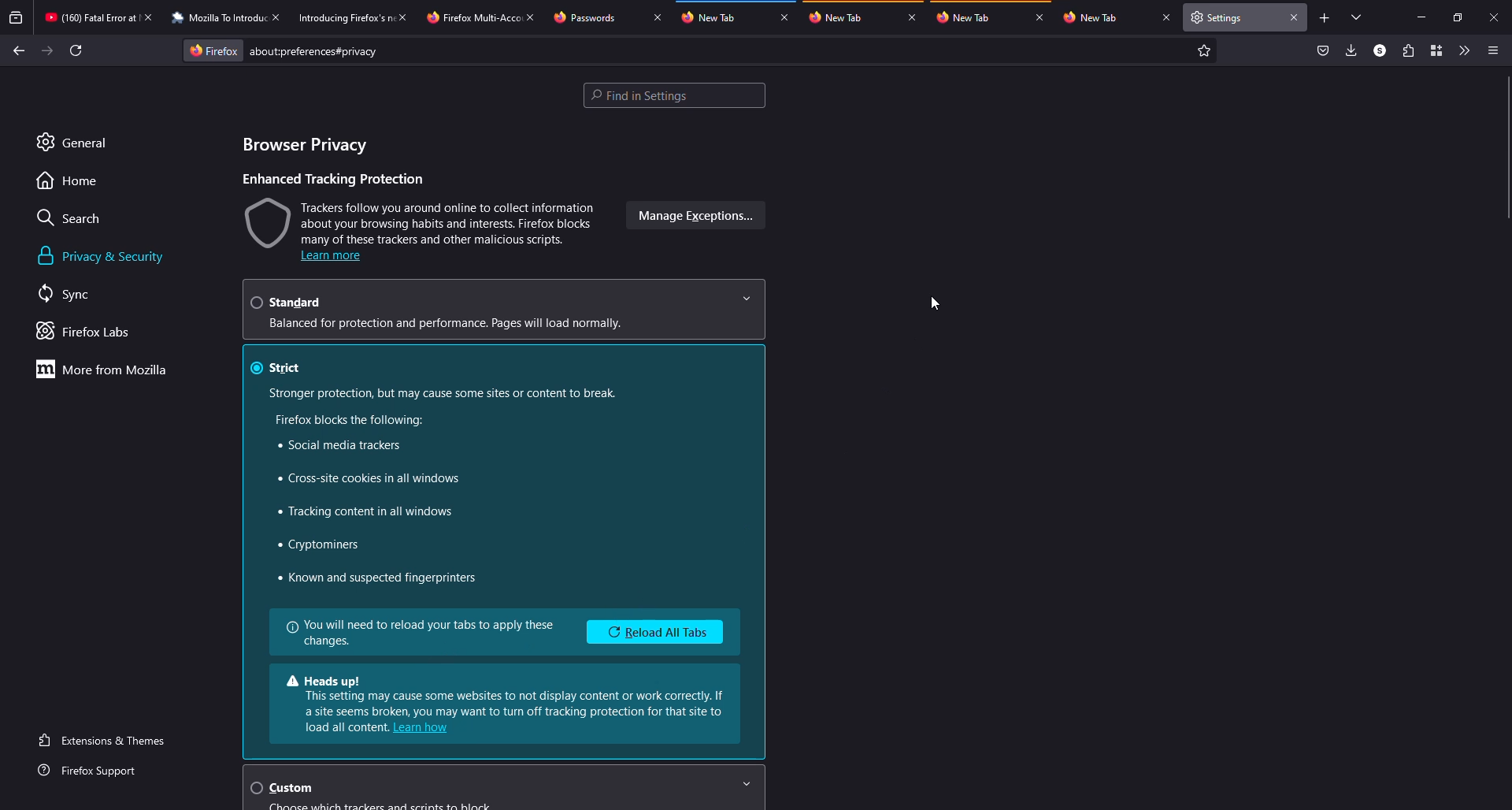  What do you see at coordinates (1436, 50) in the screenshot?
I see `container` at bounding box center [1436, 50].